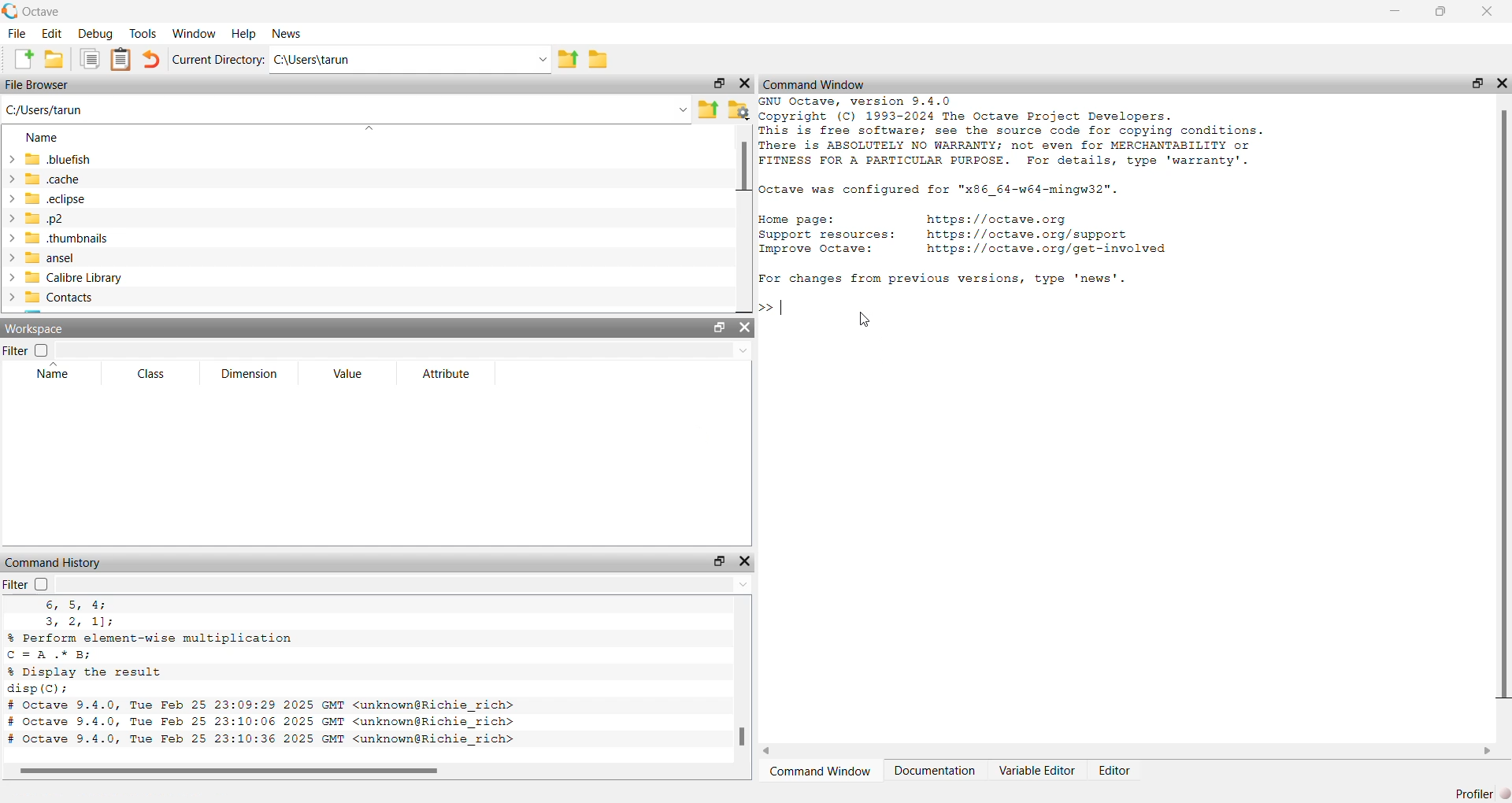  What do you see at coordinates (122, 59) in the screenshot?
I see `Document Clipboard` at bounding box center [122, 59].